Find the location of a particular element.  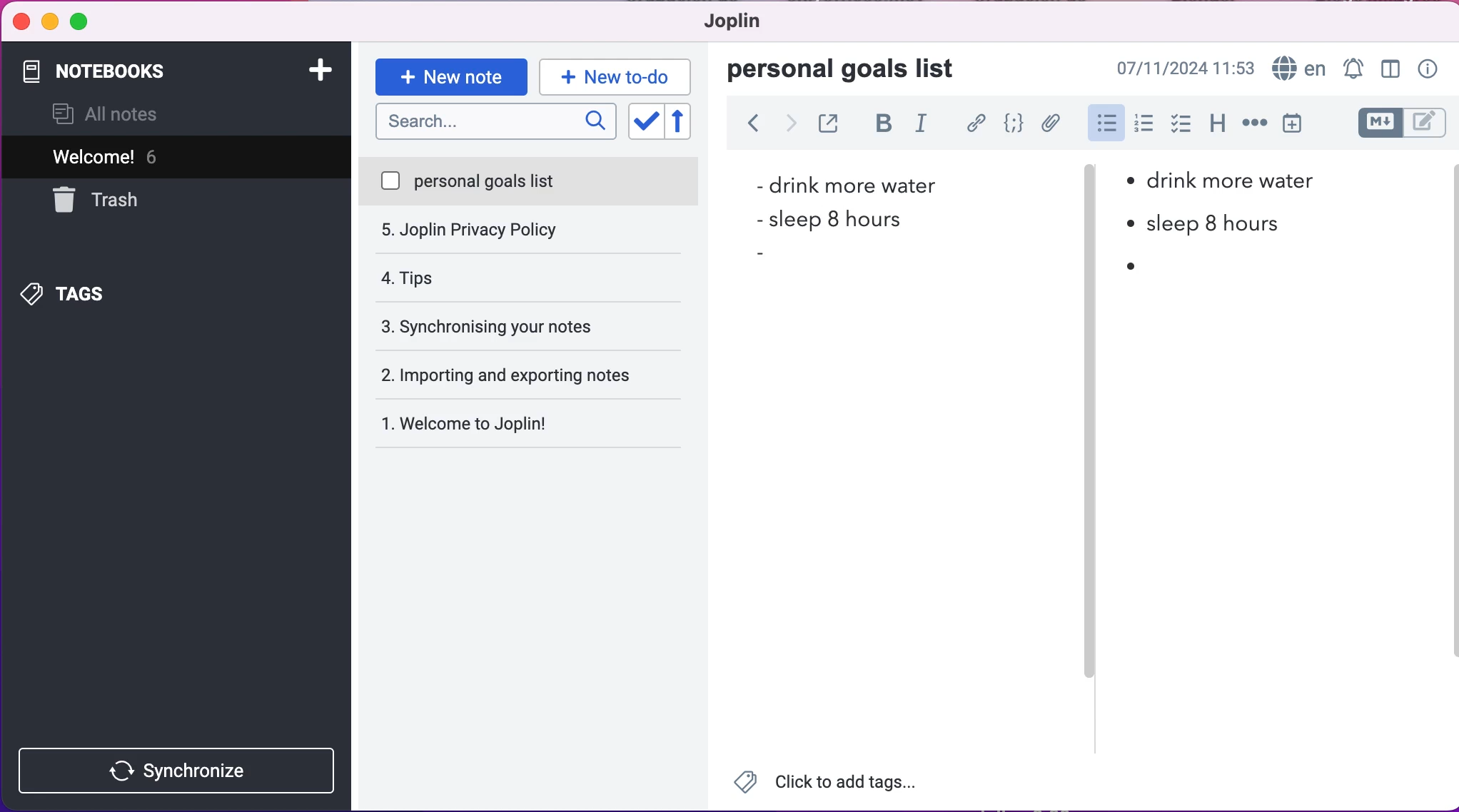

code is located at coordinates (1011, 124).